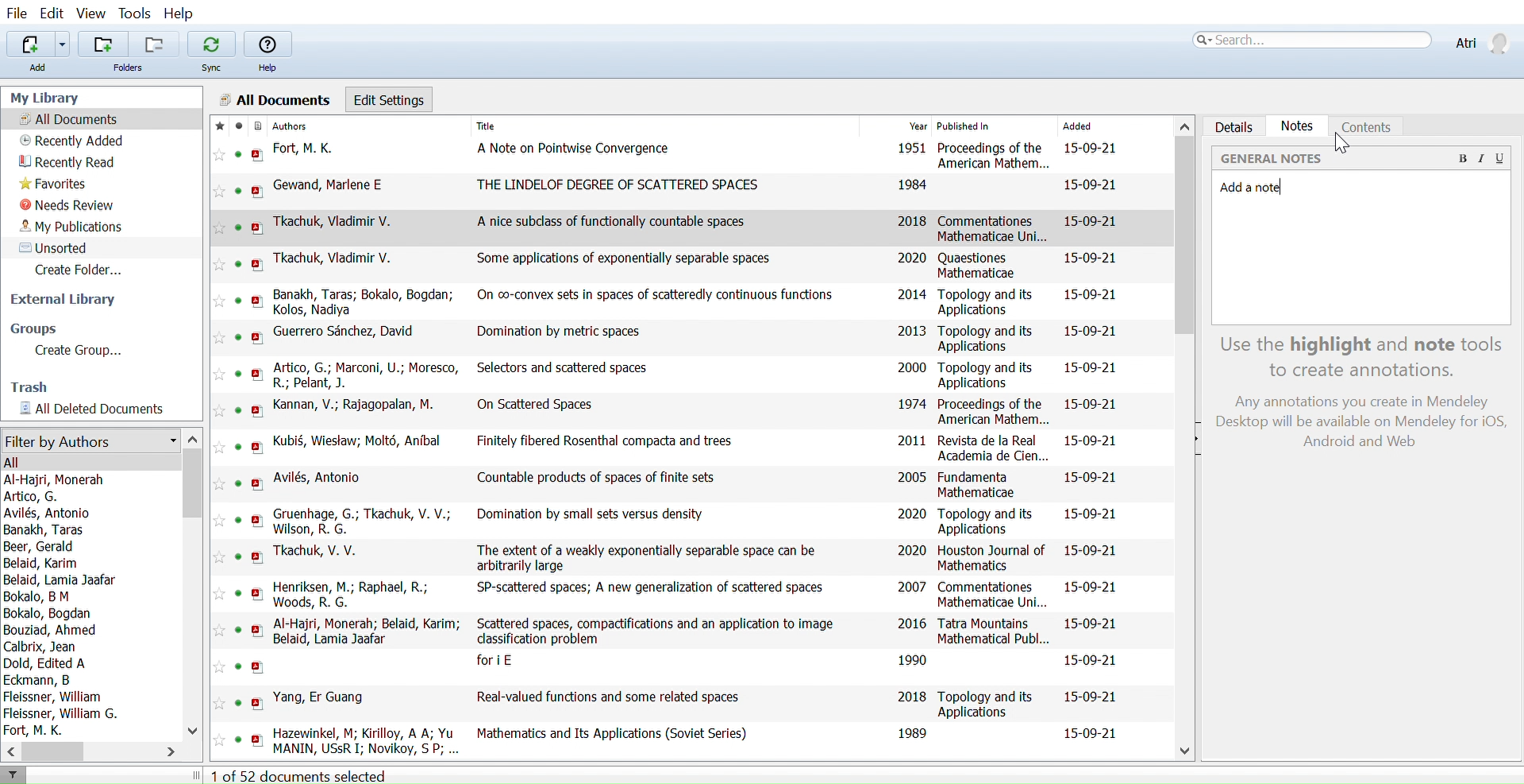 The image size is (1524, 784). Describe the element at coordinates (219, 557) in the screenshot. I see `Add this reference to favorites` at that location.